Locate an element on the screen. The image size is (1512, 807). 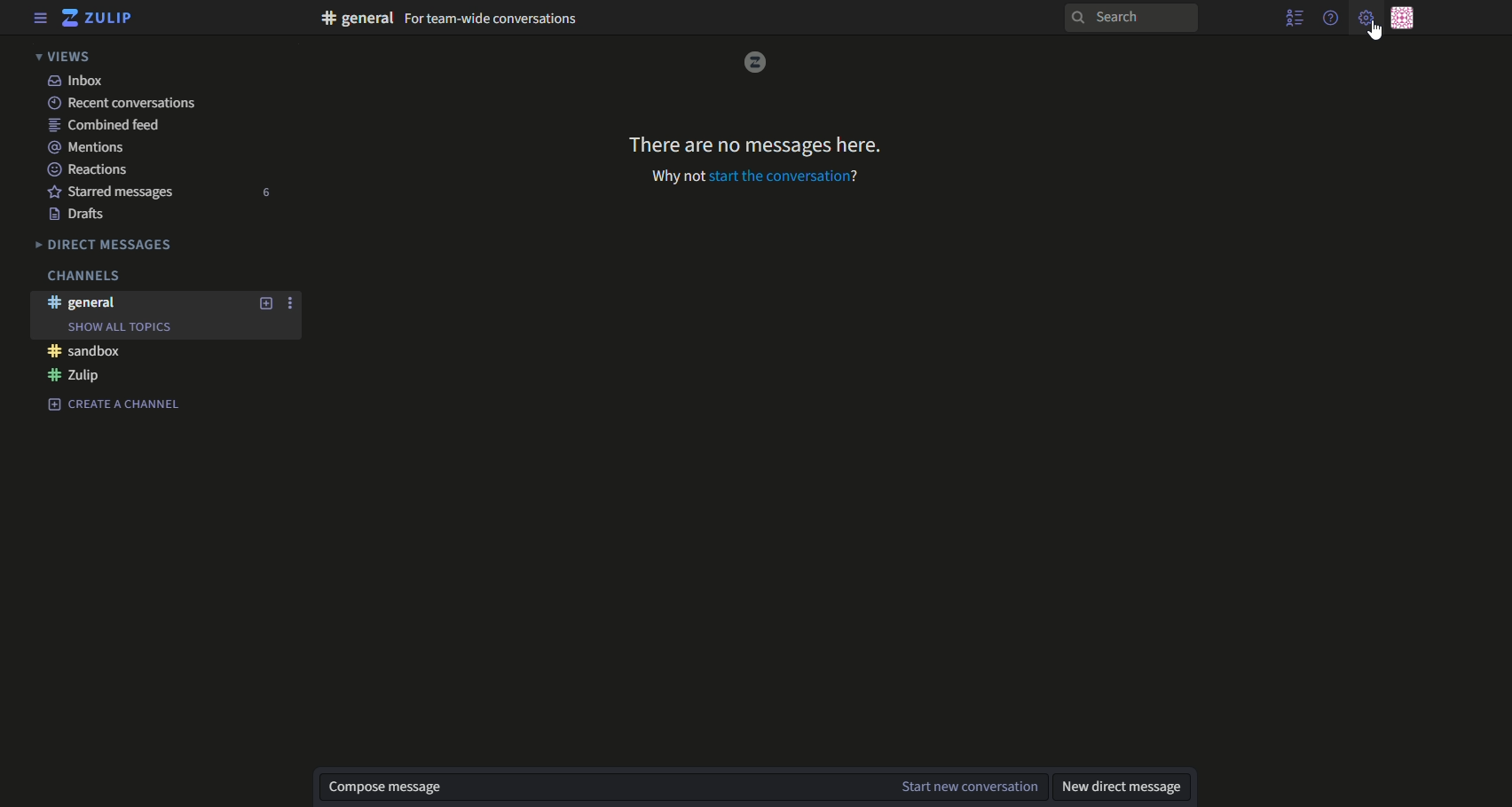
add new is located at coordinates (266, 303).